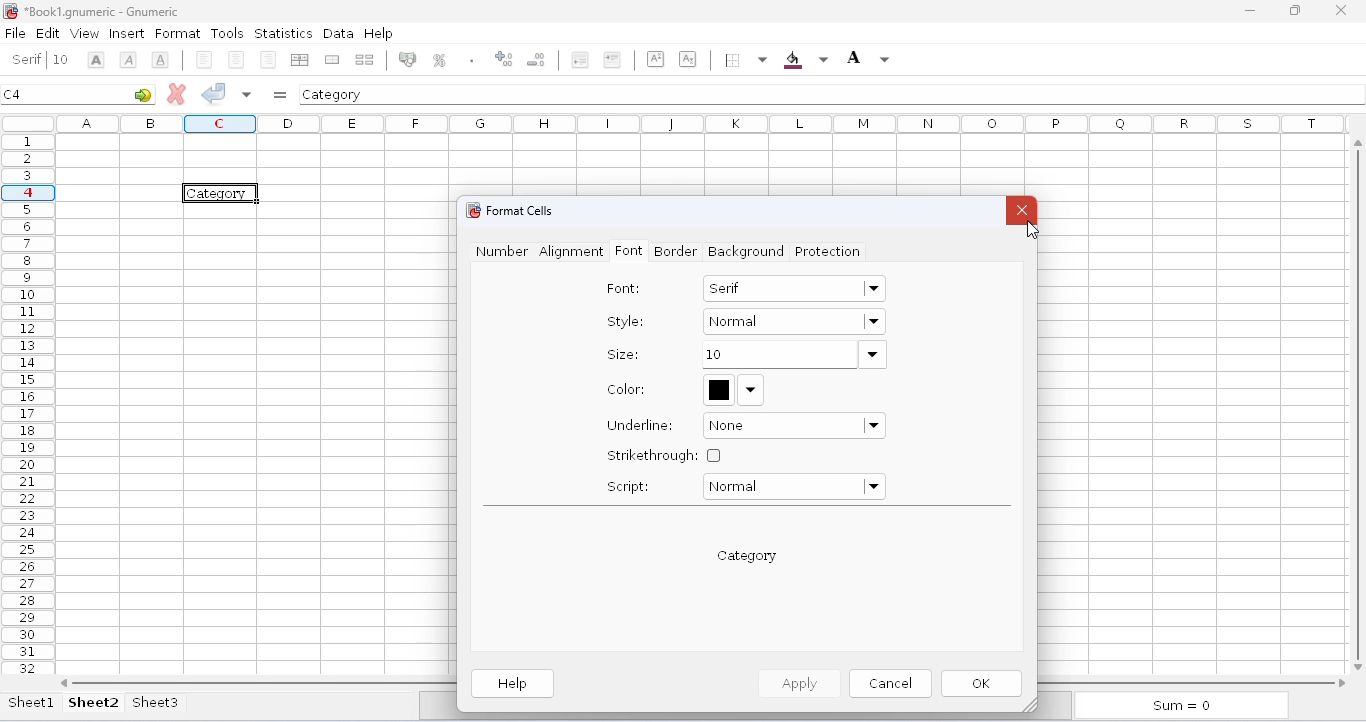  What do you see at coordinates (705, 123) in the screenshot?
I see `columns` at bounding box center [705, 123].